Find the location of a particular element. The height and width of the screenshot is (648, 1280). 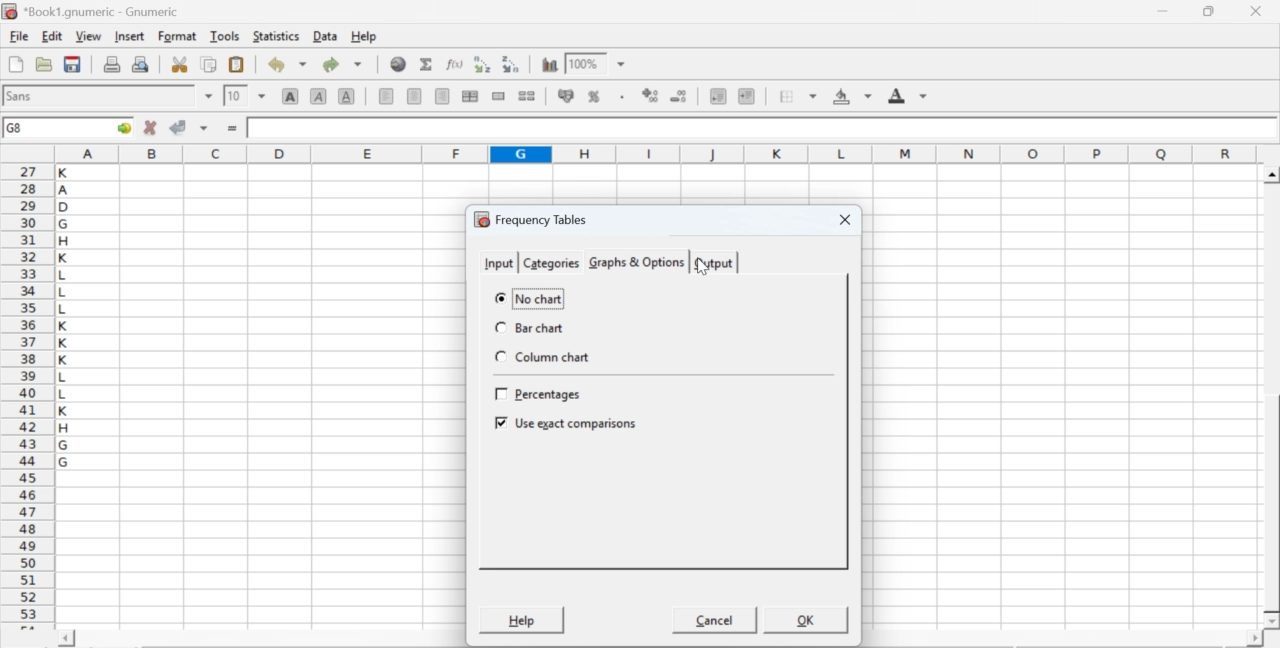

save current workbook is located at coordinates (73, 64).